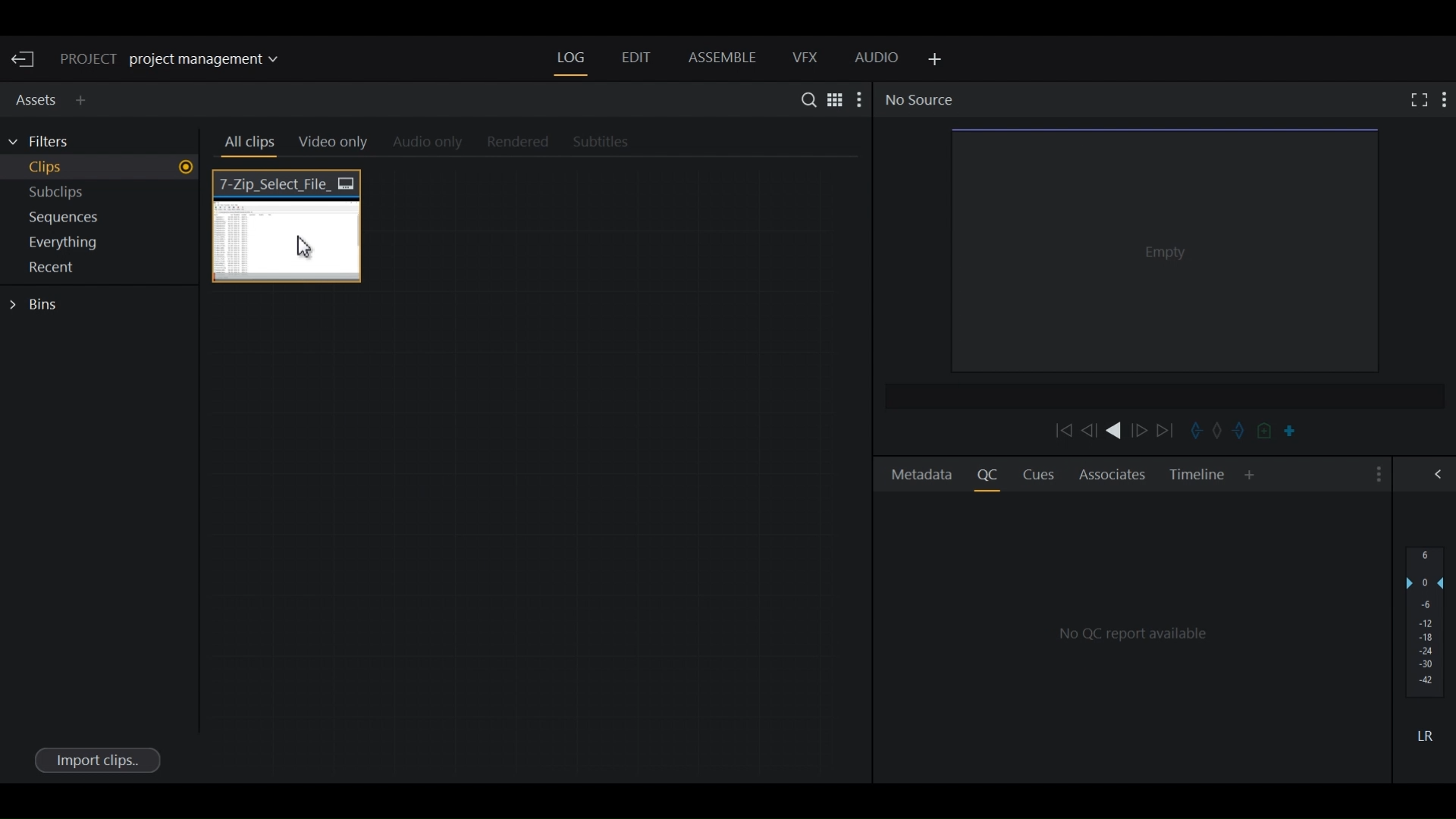 The height and width of the screenshot is (819, 1456). What do you see at coordinates (991, 475) in the screenshot?
I see `Quality Control` at bounding box center [991, 475].